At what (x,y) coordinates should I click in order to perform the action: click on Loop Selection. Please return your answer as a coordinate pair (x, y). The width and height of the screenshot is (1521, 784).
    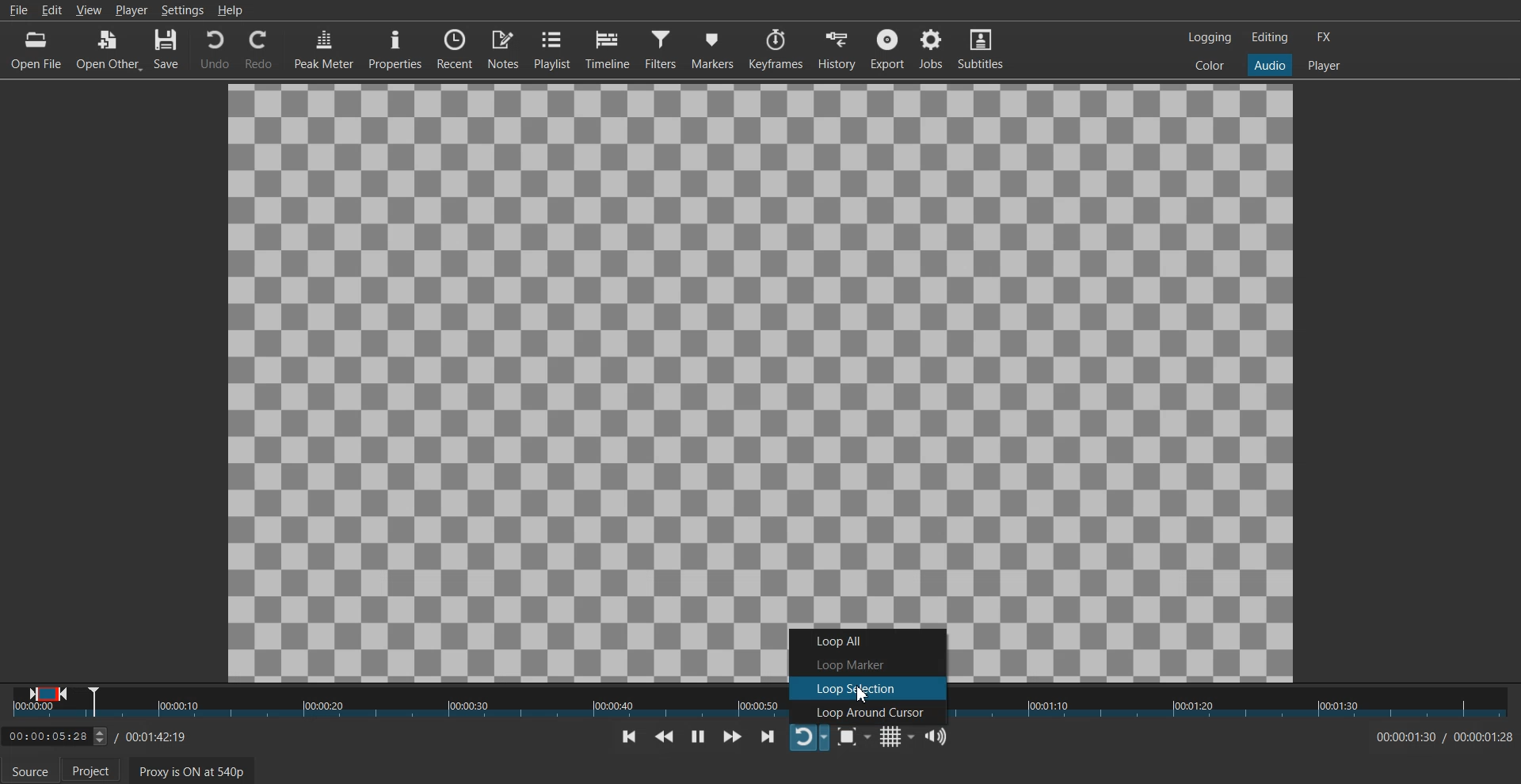
    Looking at the image, I should click on (867, 688).